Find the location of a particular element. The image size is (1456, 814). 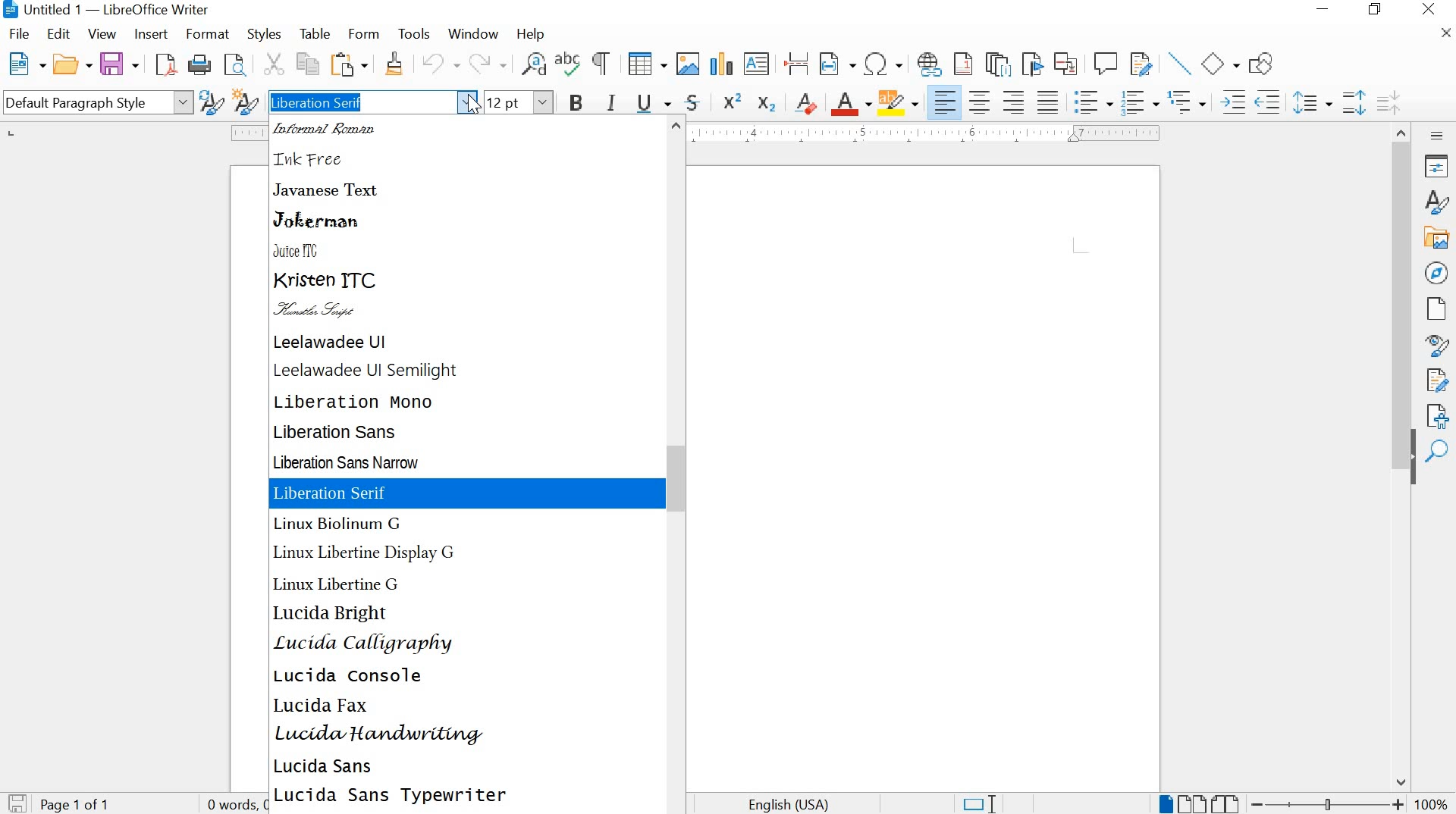

STYLE INSPECTOR is located at coordinates (1436, 344).